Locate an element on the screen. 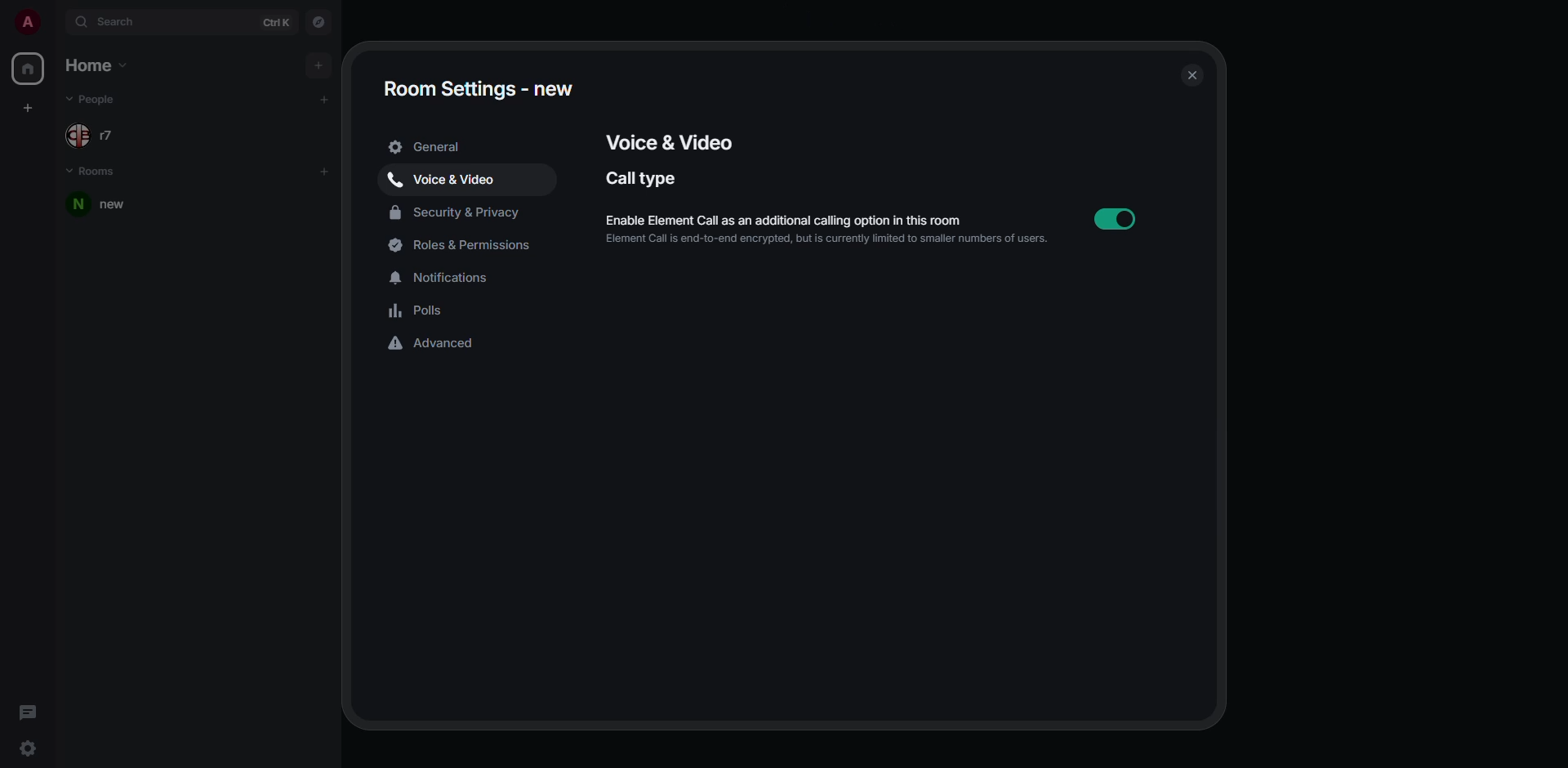 The width and height of the screenshot is (1568, 768). add is located at coordinates (328, 171).